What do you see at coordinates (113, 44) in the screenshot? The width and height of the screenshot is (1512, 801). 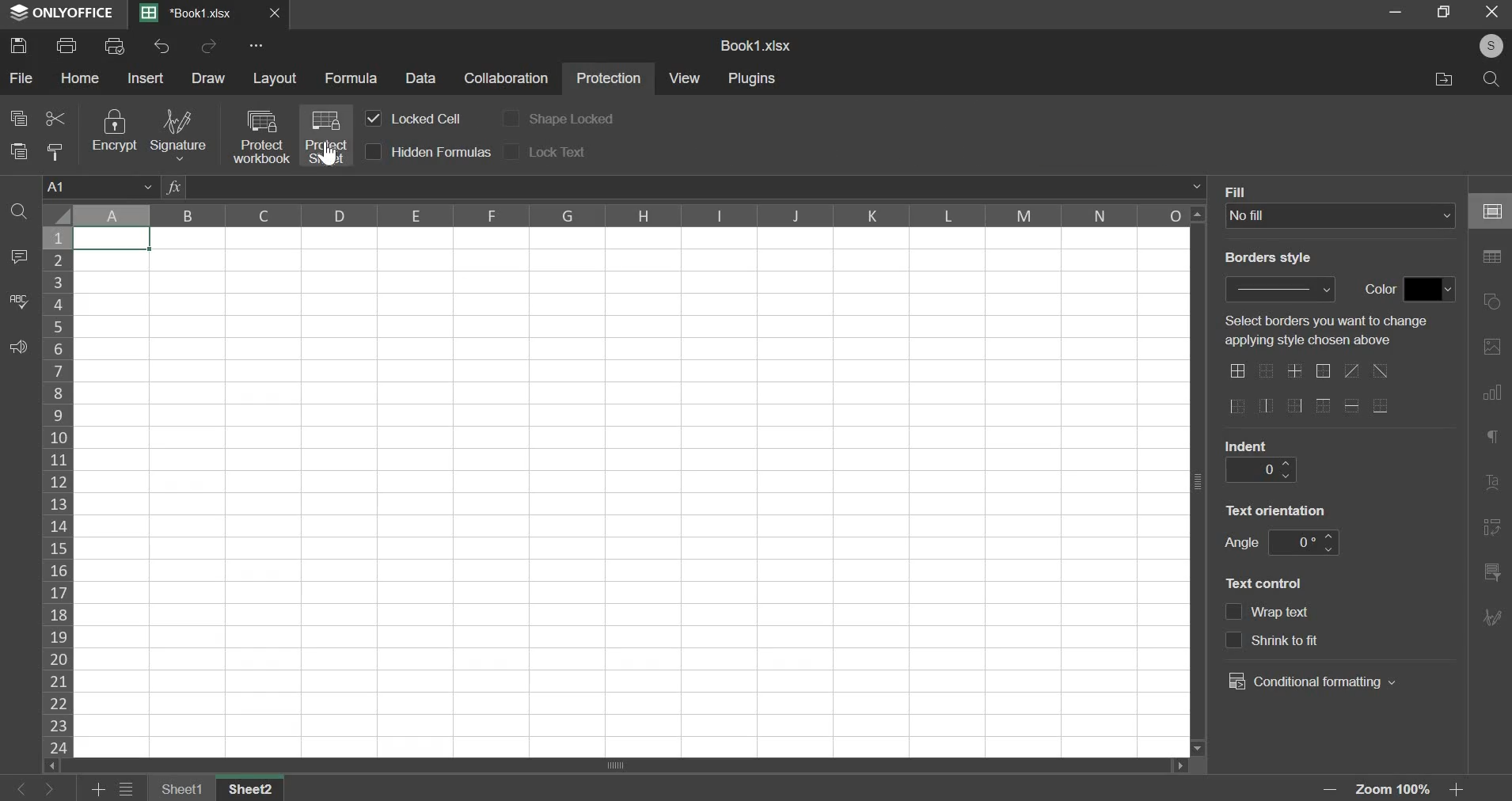 I see `print preview` at bounding box center [113, 44].